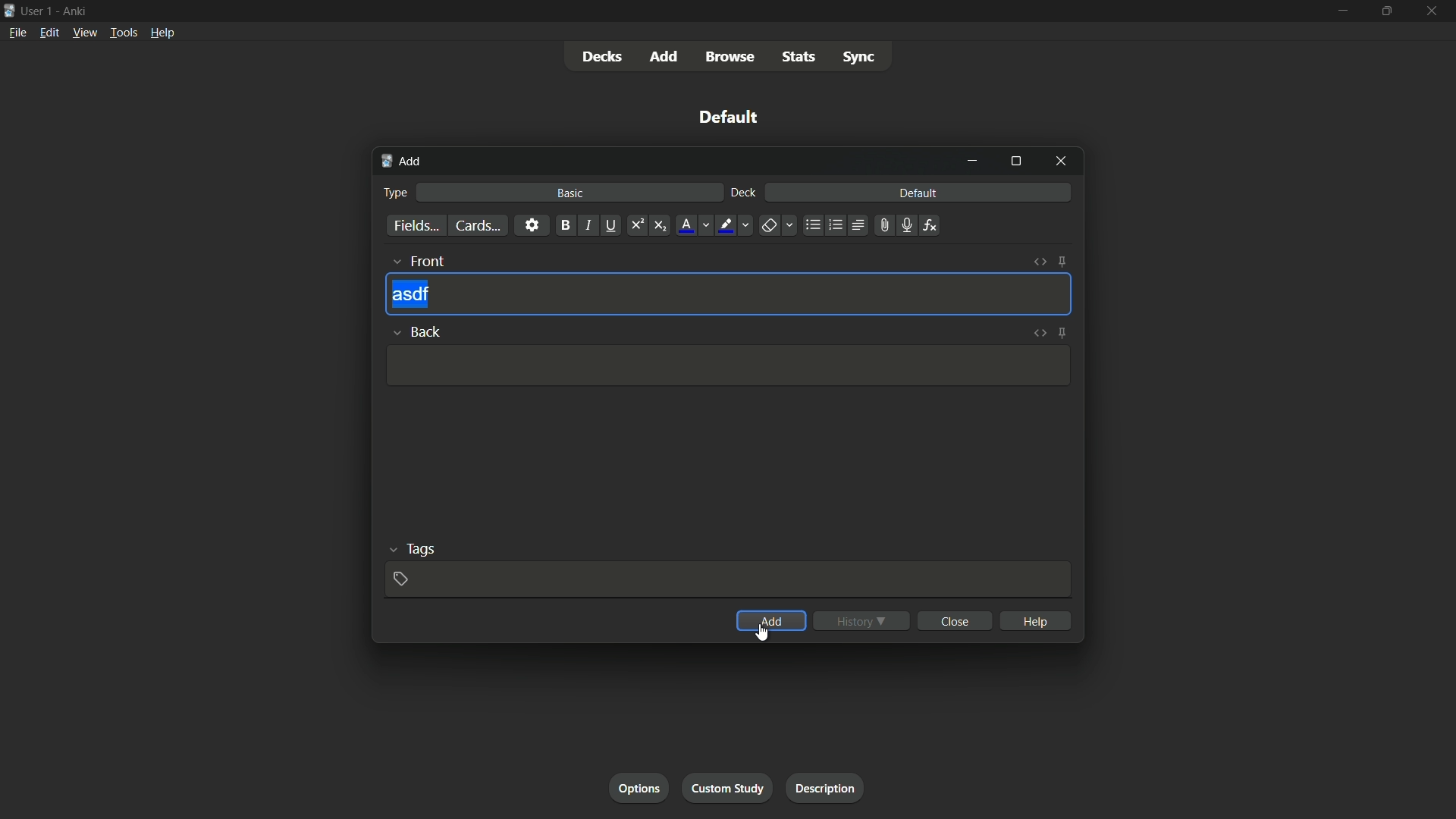 This screenshot has width=1456, height=819. I want to click on user-1, so click(37, 9).